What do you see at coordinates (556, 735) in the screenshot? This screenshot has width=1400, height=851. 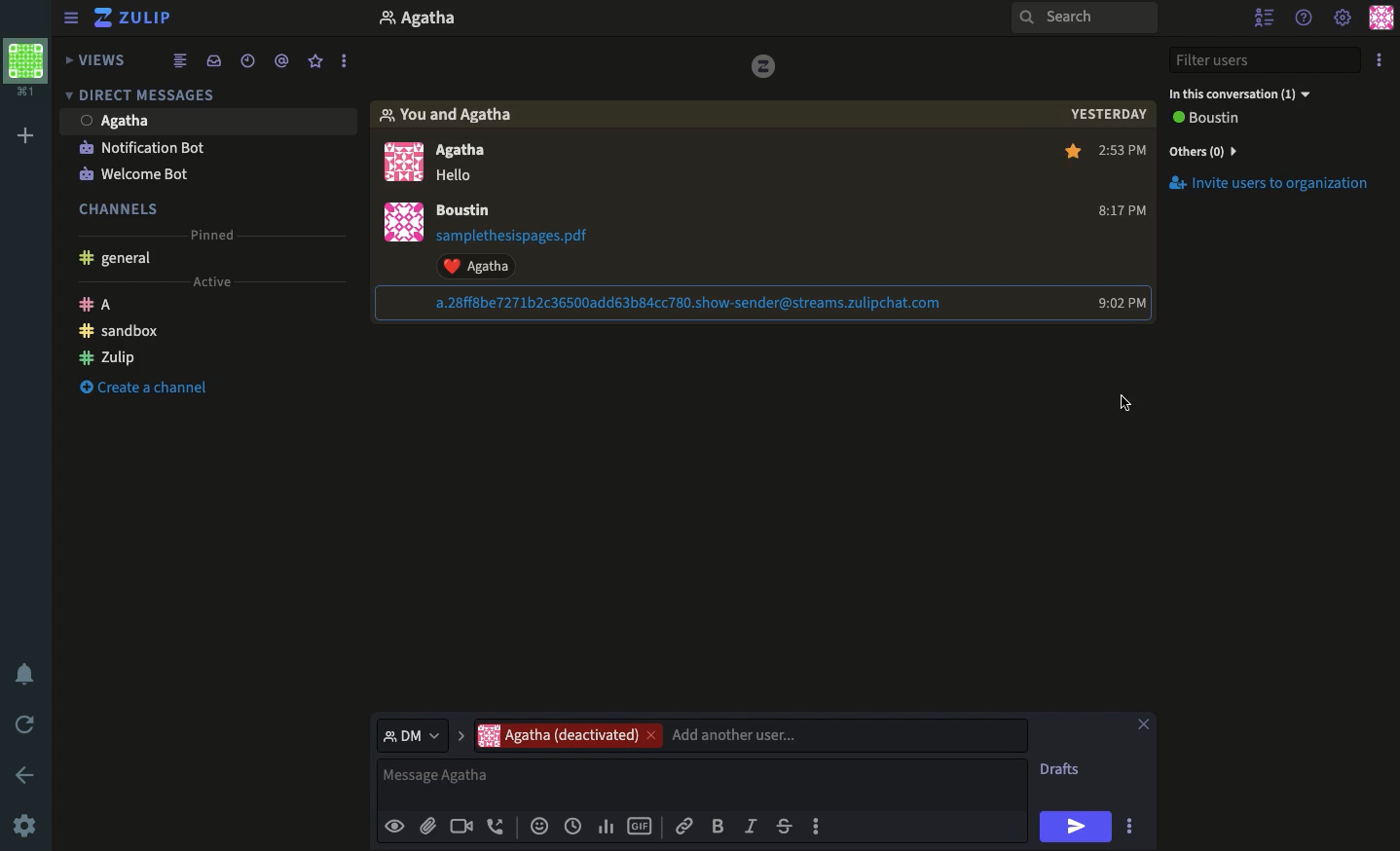 I see `agatha` at bounding box center [556, 735].